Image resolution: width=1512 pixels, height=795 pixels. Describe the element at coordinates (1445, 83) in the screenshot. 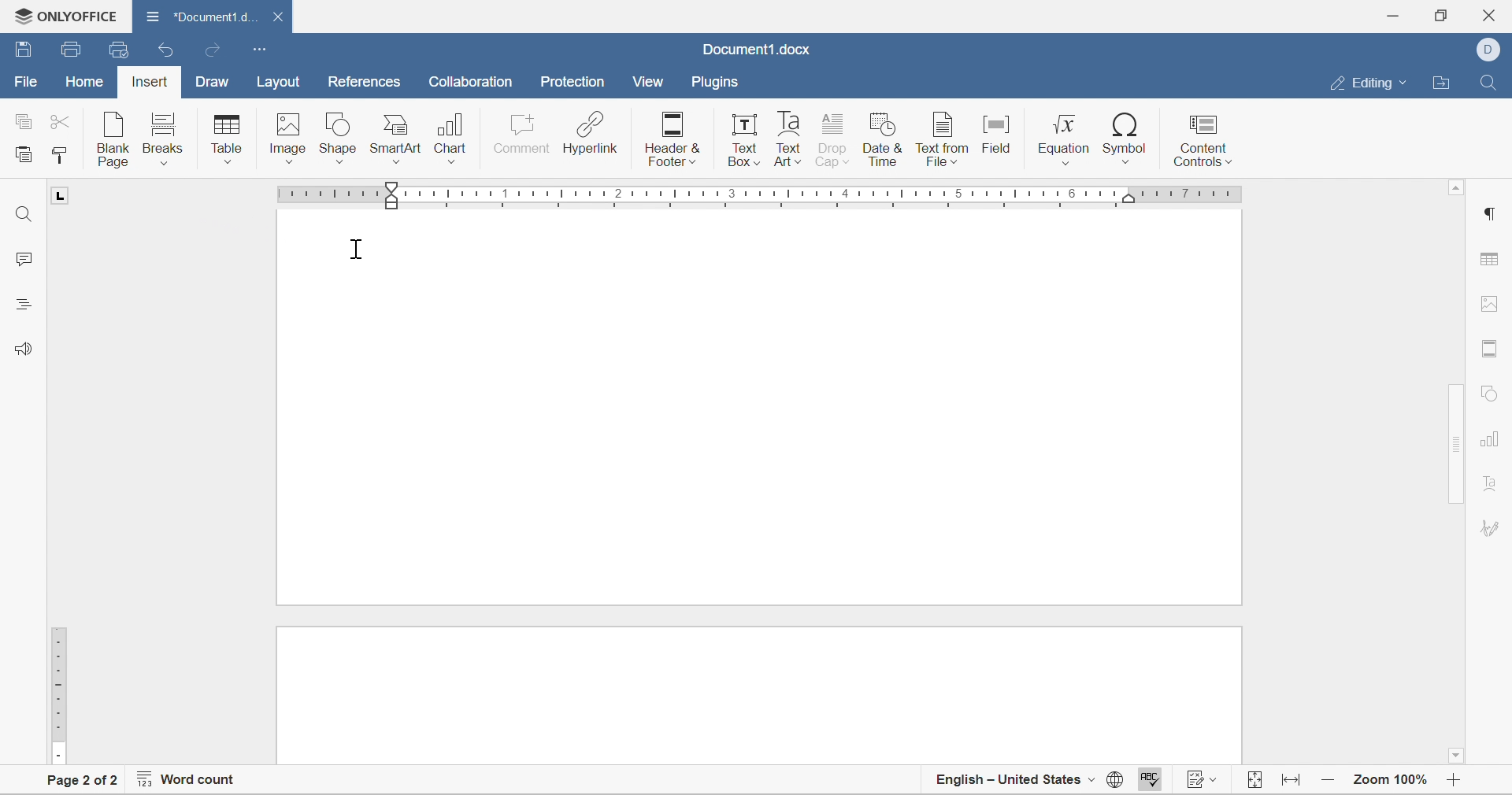

I see `Open file location` at that location.